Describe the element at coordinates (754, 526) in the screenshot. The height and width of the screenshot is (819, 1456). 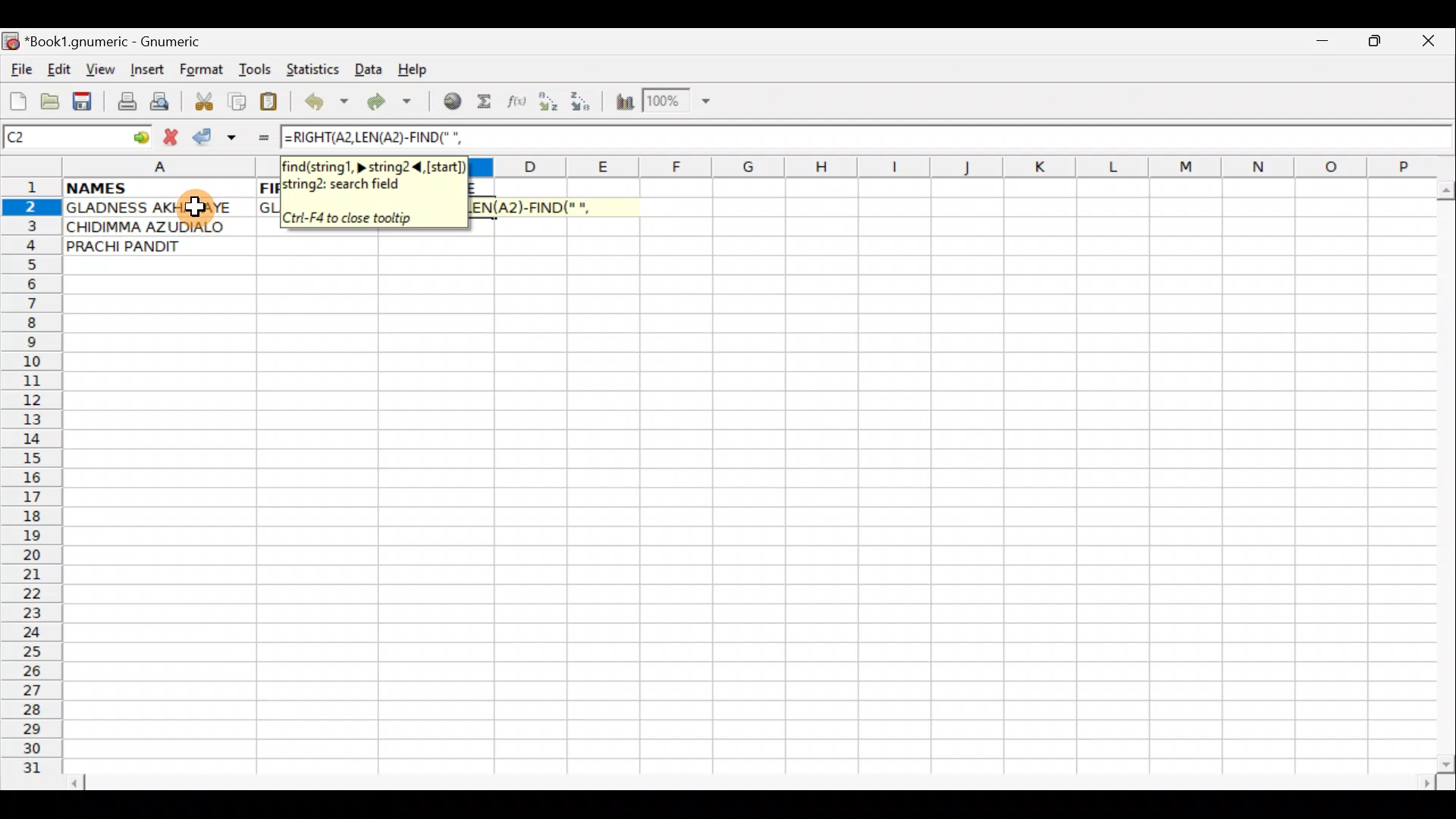
I see `Cells` at that location.